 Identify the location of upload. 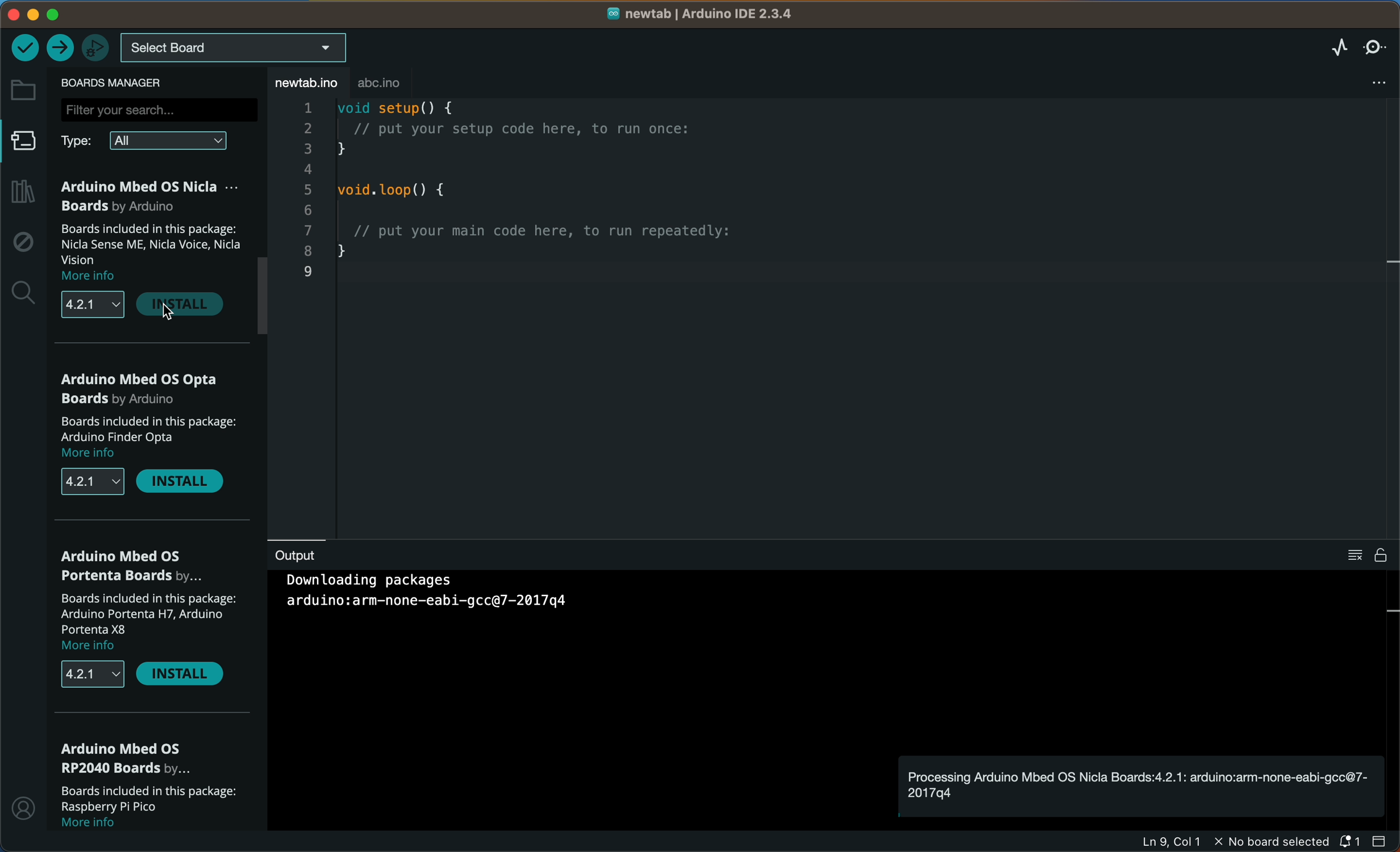
(61, 48).